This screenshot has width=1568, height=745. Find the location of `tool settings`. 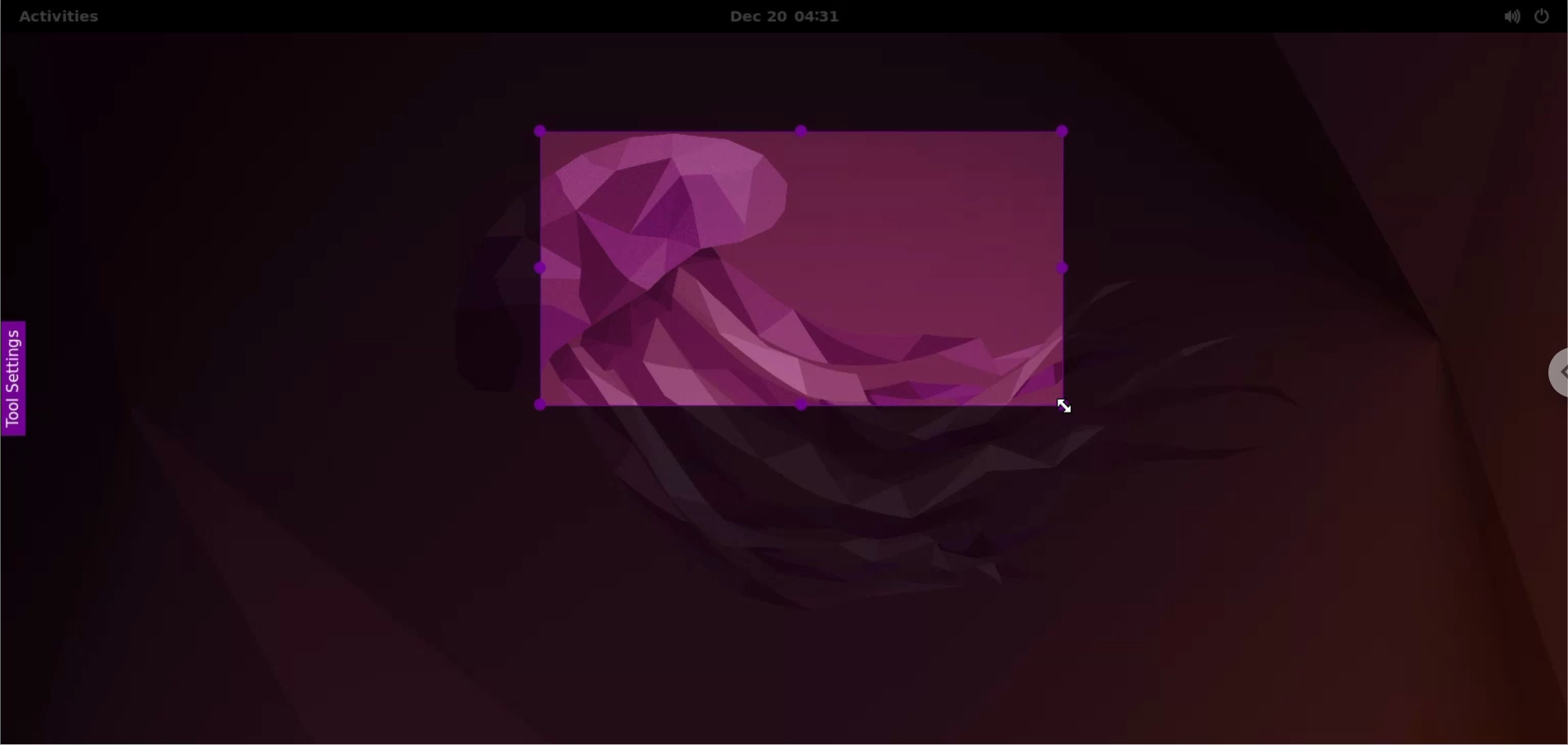

tool settings is located at coordinates (16, 386).